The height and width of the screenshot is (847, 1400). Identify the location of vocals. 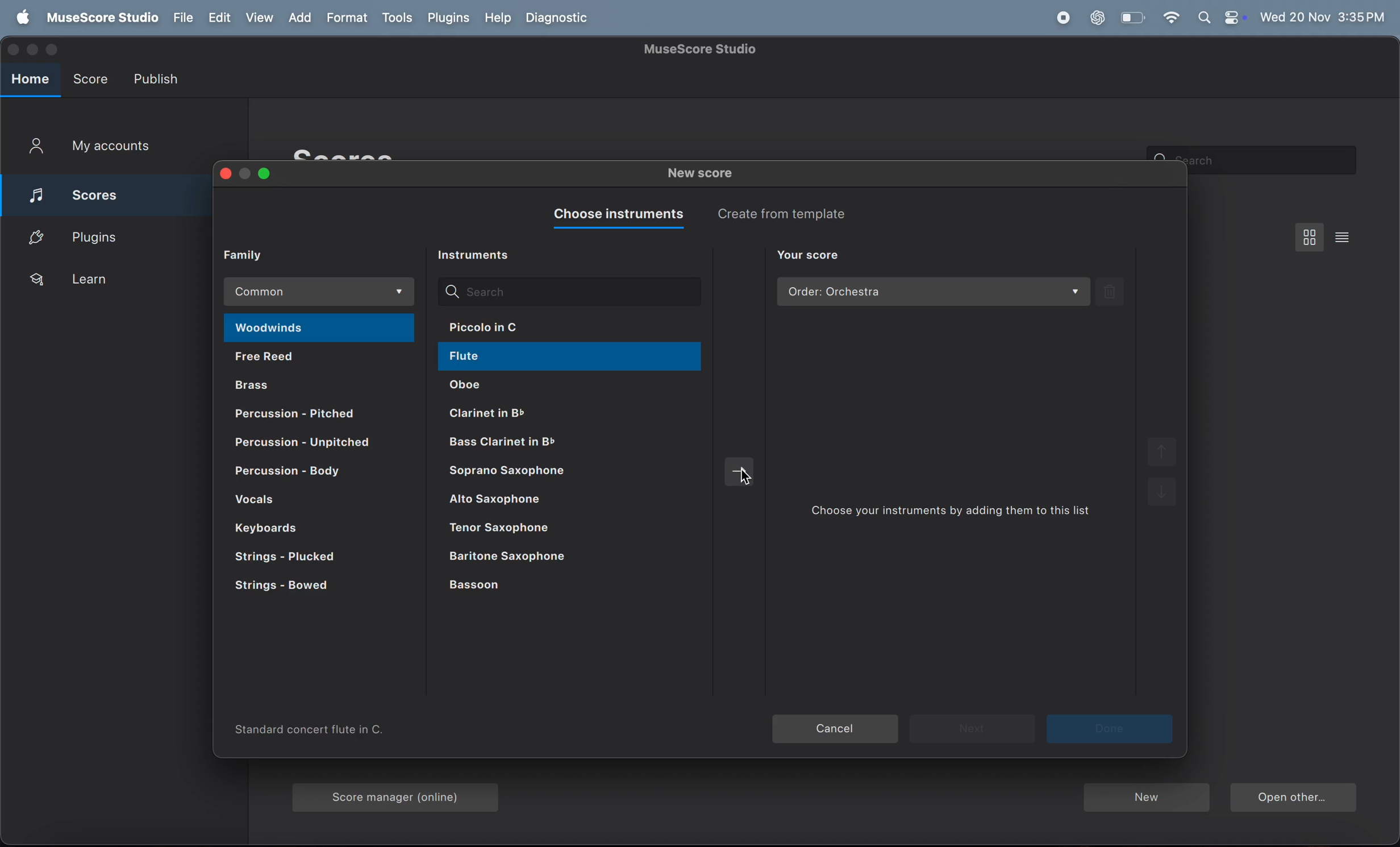
(316, 501).